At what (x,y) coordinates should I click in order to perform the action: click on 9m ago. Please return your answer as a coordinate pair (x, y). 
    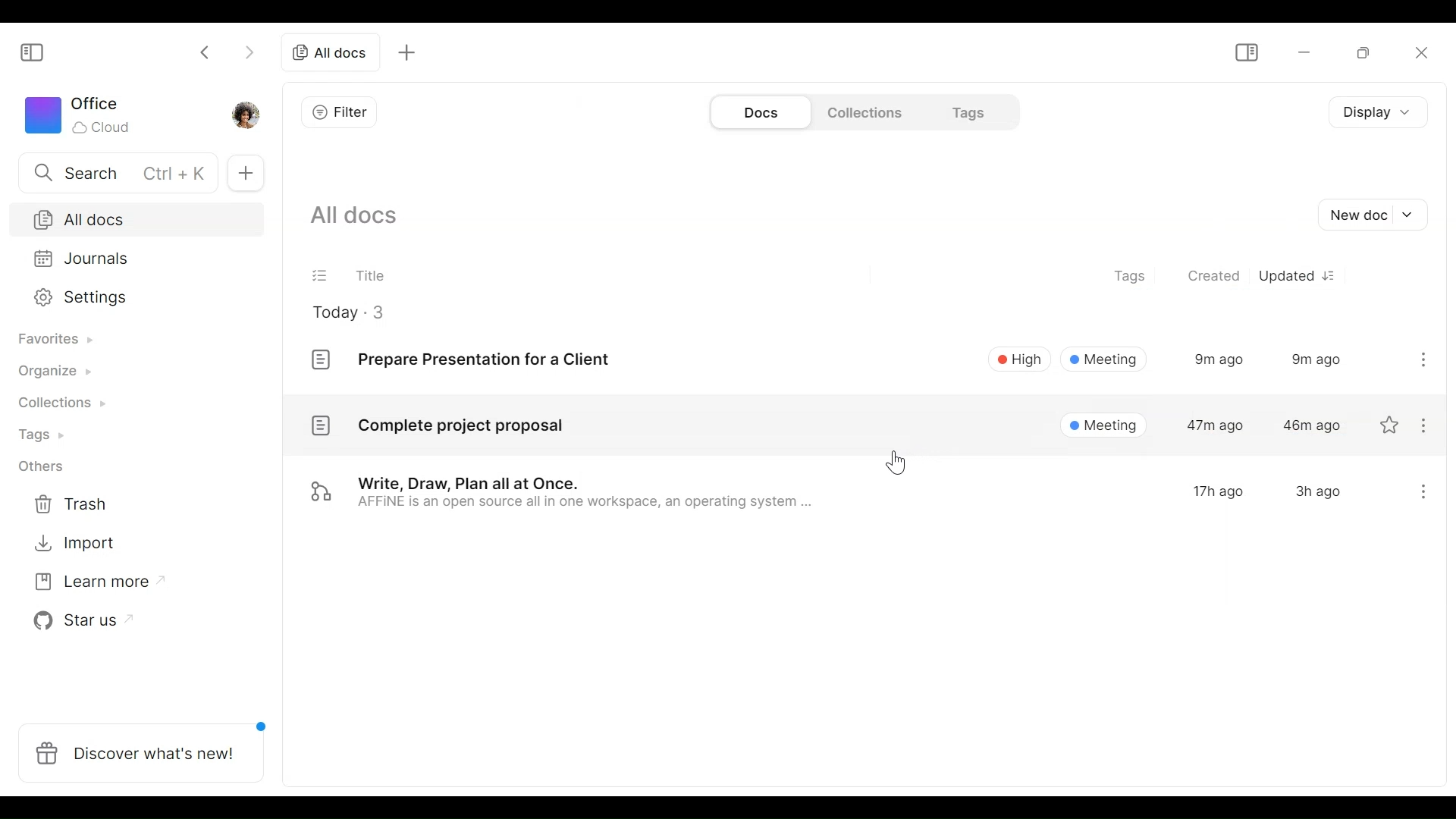
    Looking at the image, I should click on (1318, 362).